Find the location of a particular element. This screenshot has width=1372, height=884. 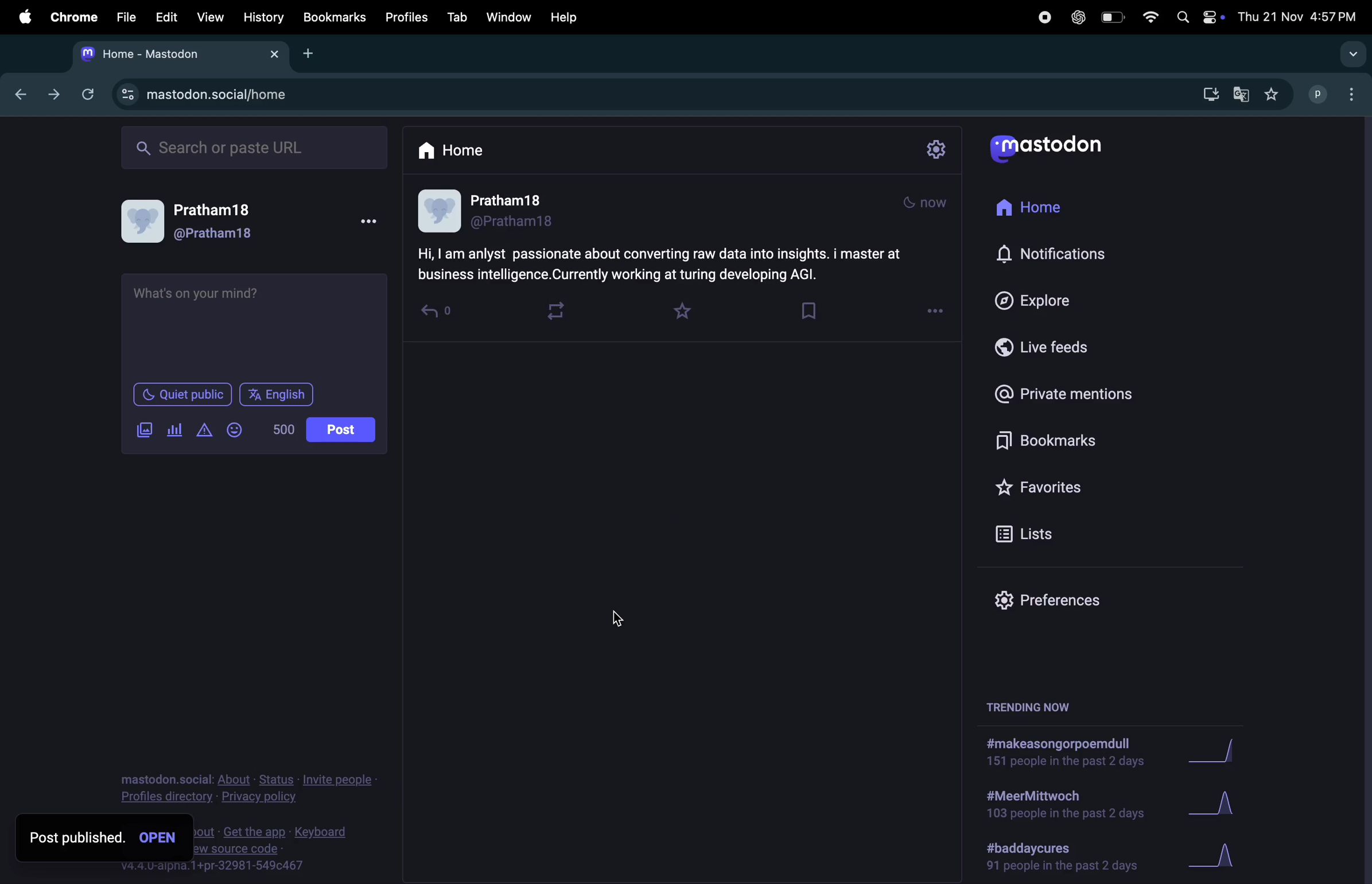

graph is located at coordinates (1213, 804).